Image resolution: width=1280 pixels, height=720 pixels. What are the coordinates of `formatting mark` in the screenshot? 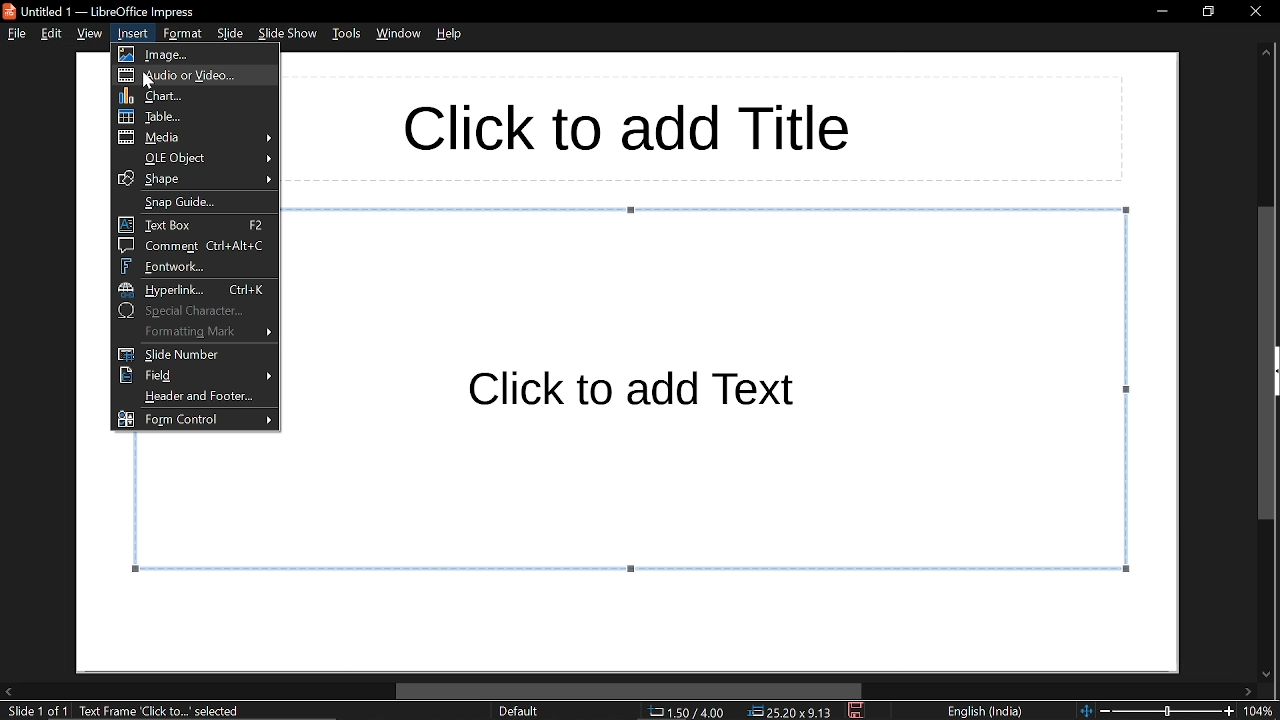 It's located at (194, 330).